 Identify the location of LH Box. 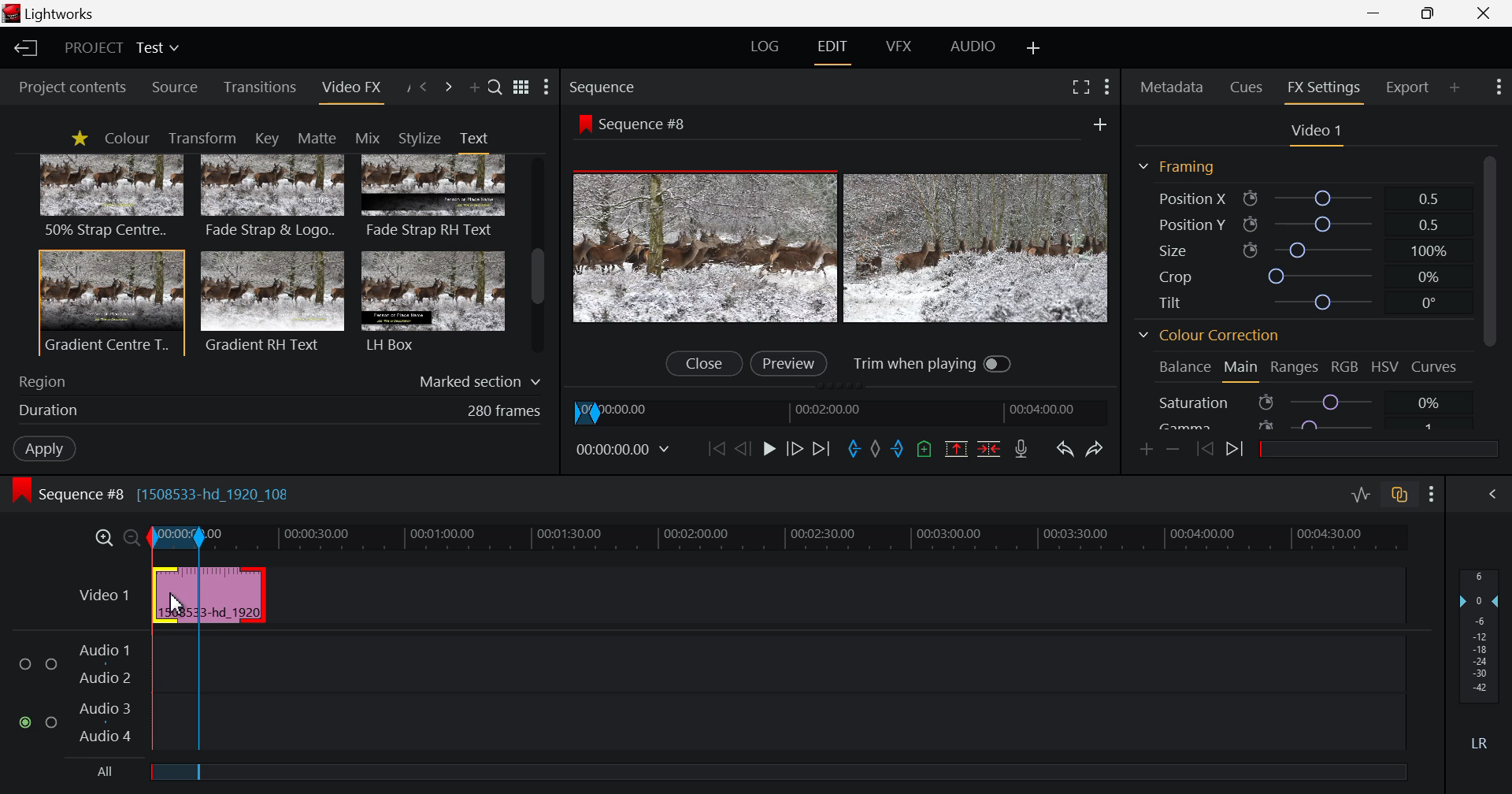
(432, 301).